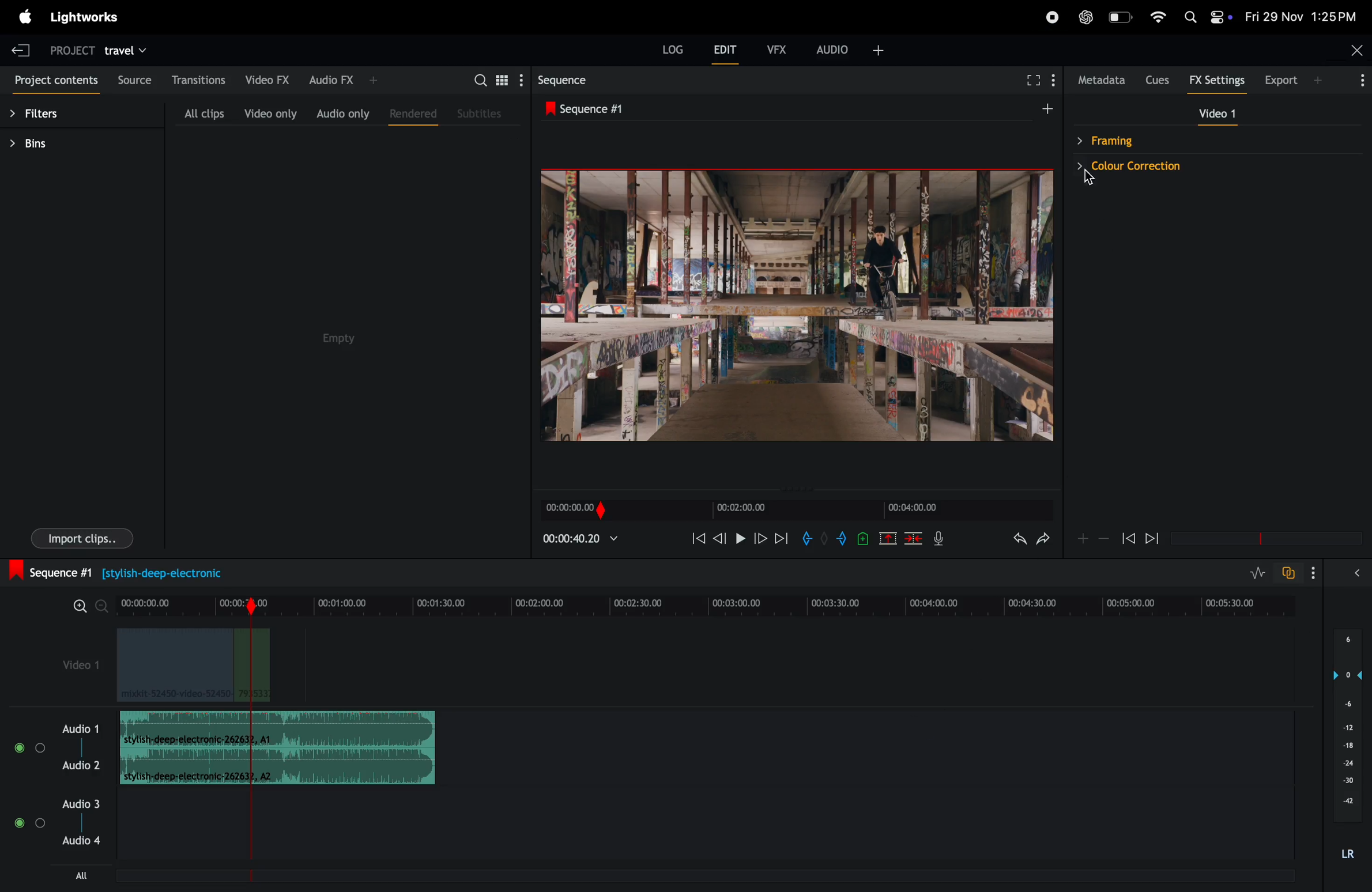  What do you see at coordinates (82, 538) in the screenshot?
I see `import clips` at bounding box center [82, 538].